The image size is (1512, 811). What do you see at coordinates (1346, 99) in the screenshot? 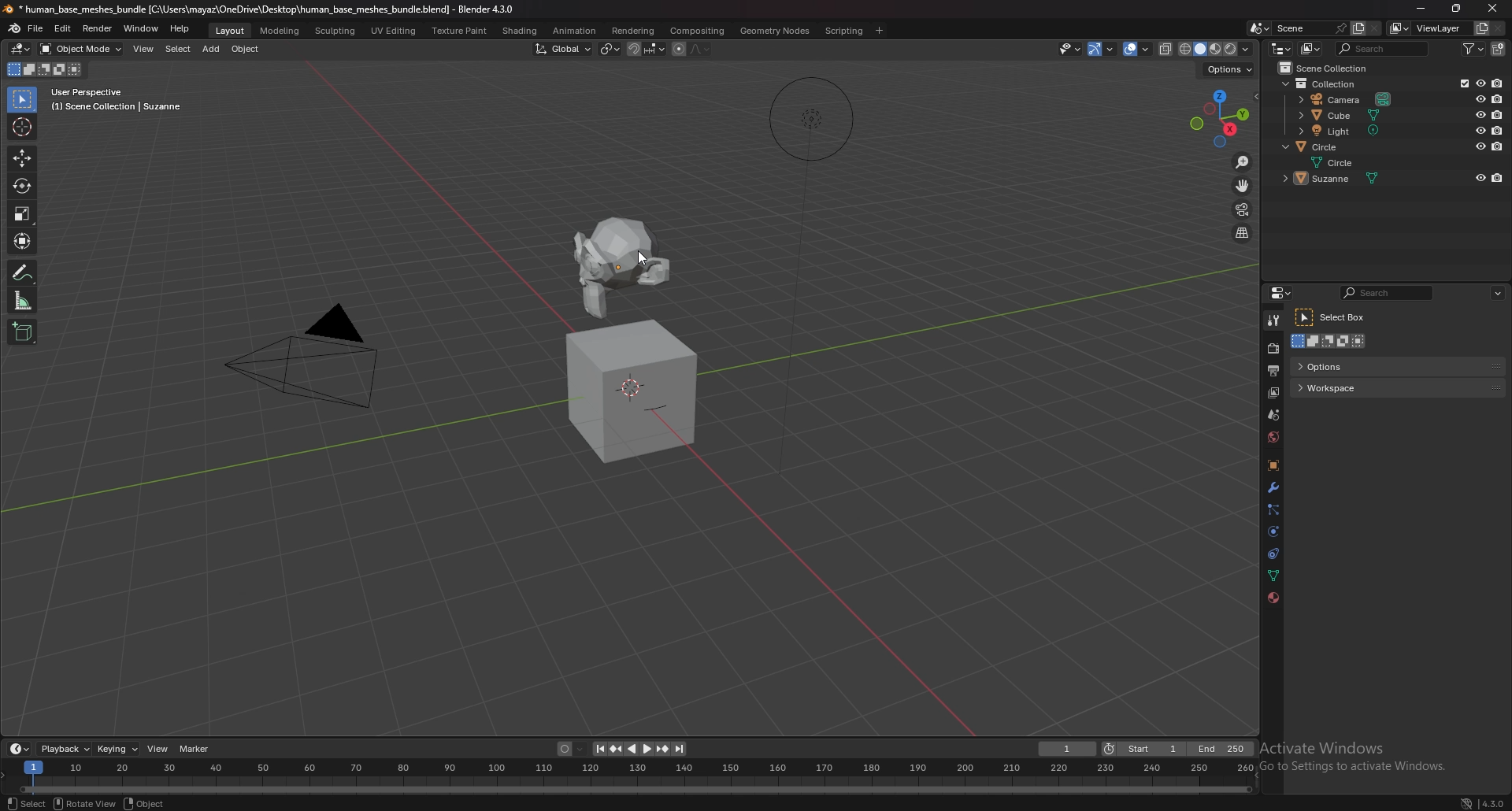
I see `camera` at bounding box center [1346, 99].